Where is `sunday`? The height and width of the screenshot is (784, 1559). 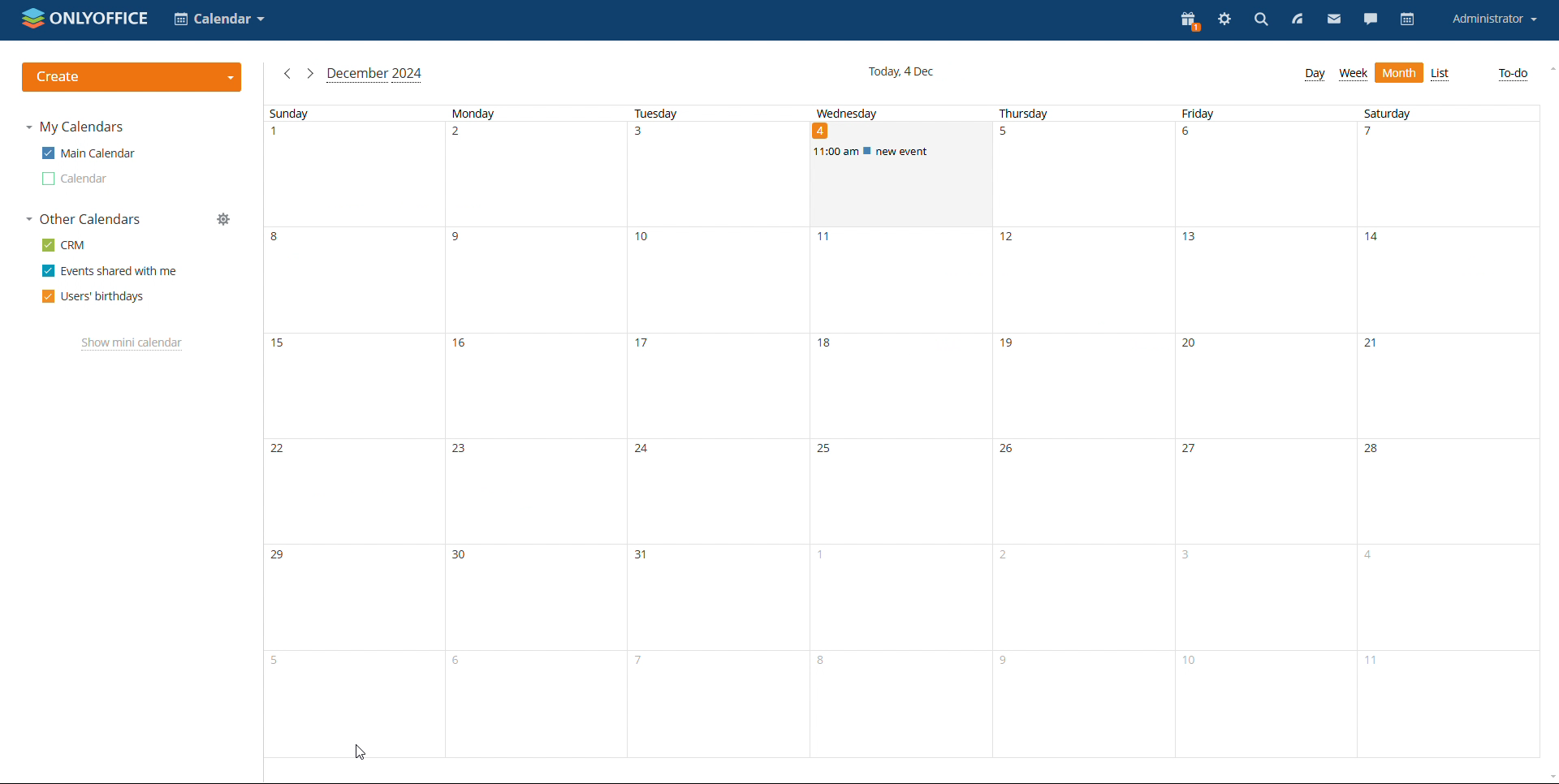 sunday is located at coordinates (352, 433).